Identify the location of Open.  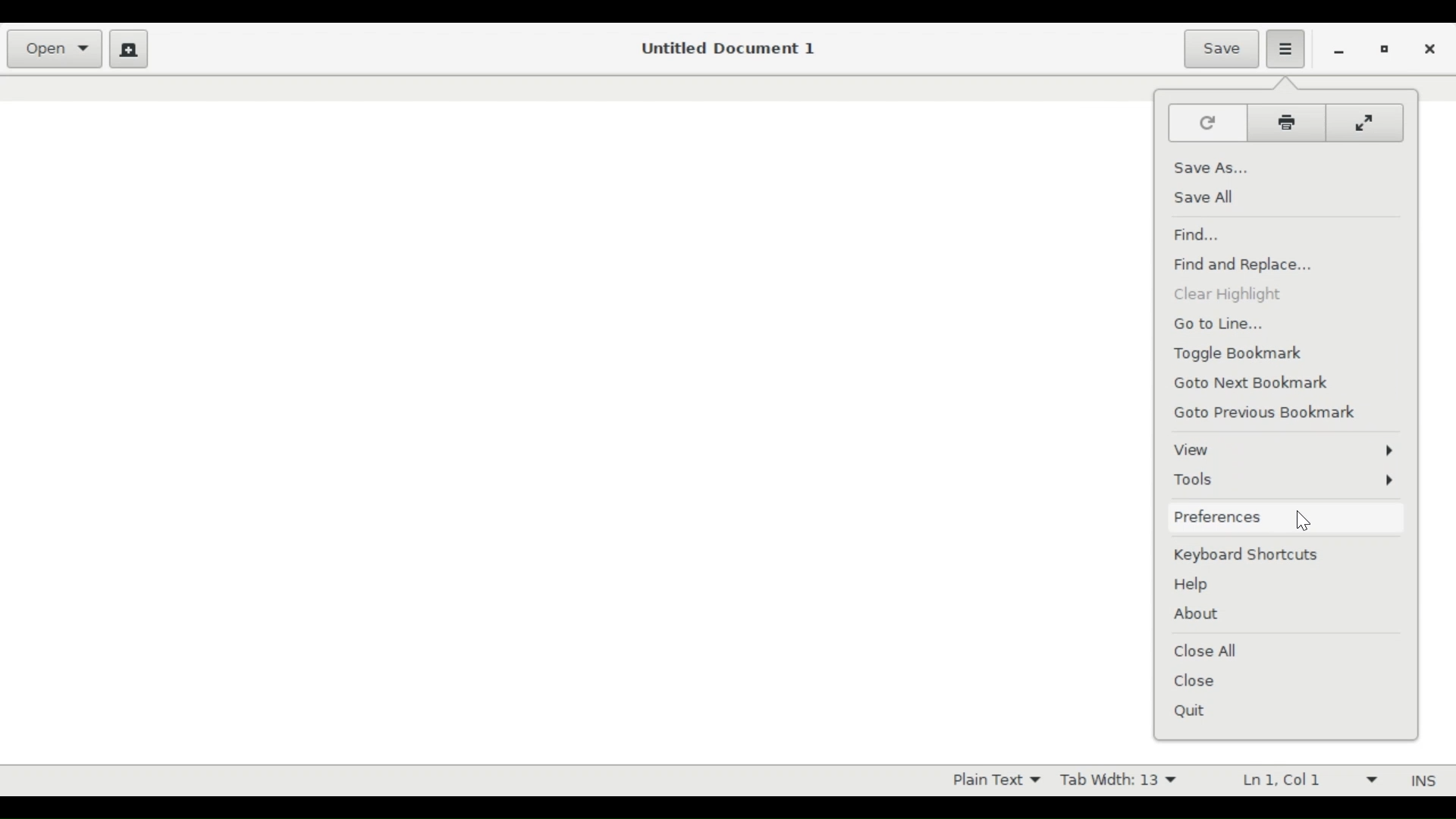
(53, 49).